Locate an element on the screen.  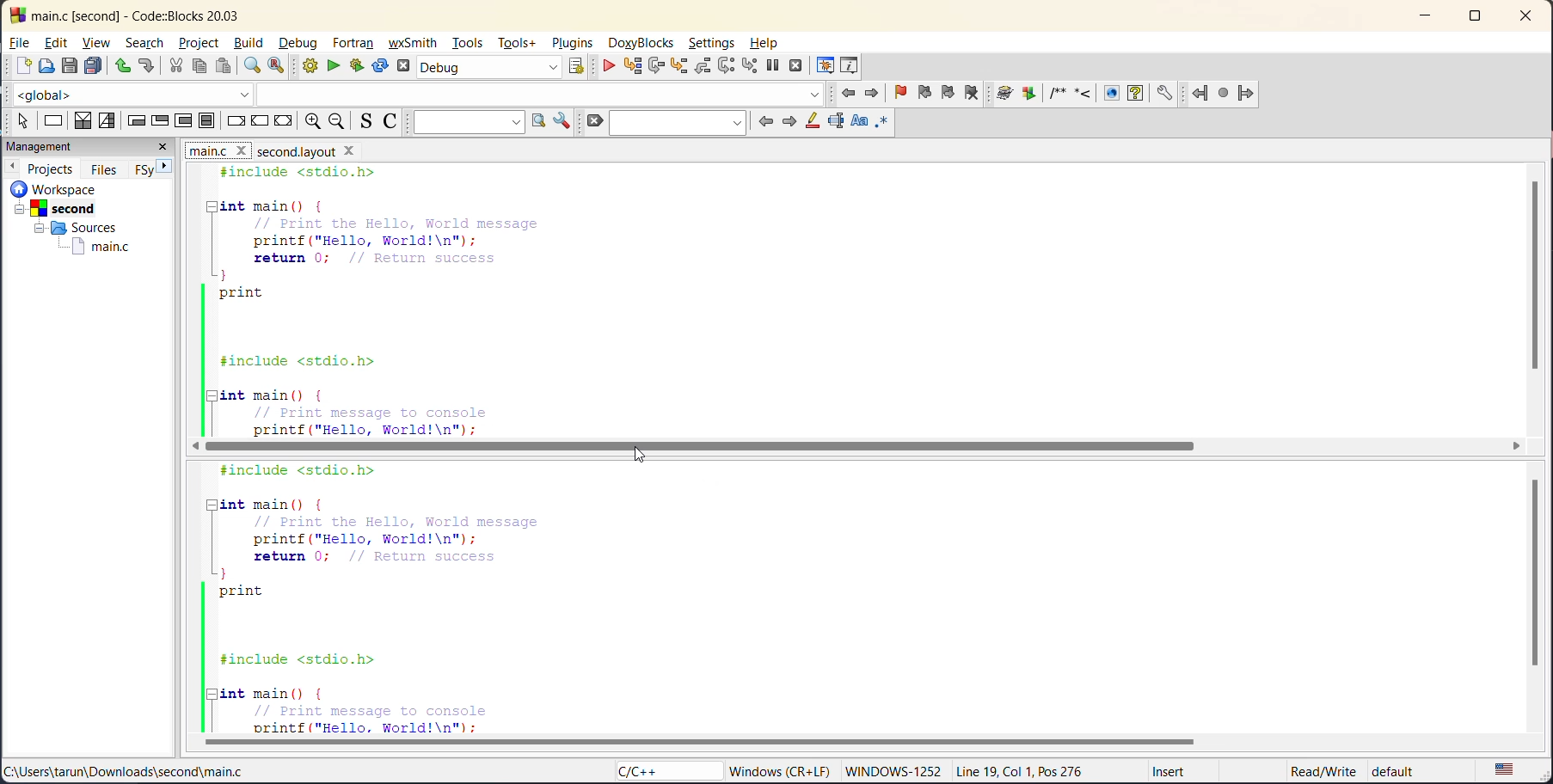
run search is located at coordinates (537, 121).